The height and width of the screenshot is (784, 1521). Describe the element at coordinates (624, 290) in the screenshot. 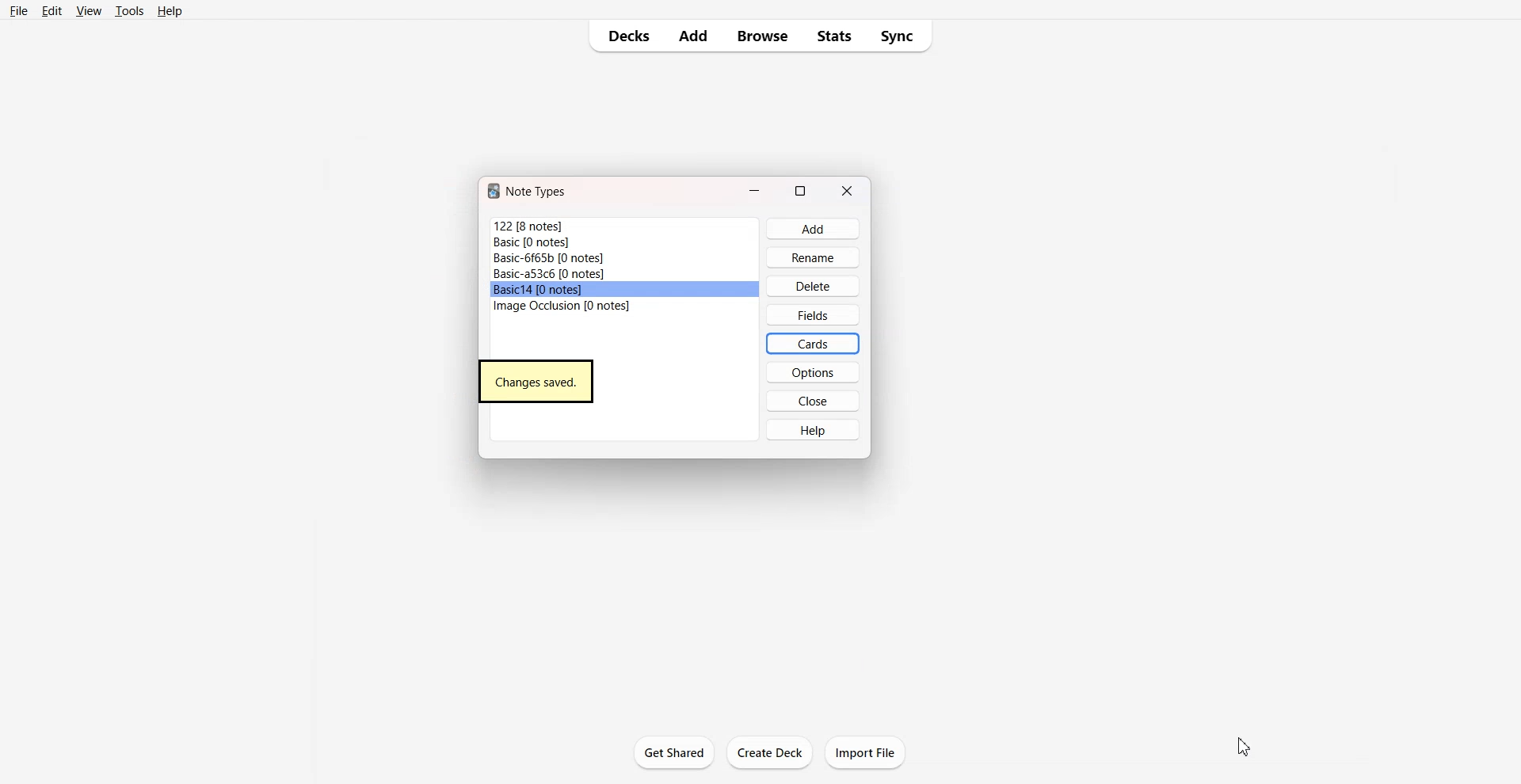

I see `File` at that location.